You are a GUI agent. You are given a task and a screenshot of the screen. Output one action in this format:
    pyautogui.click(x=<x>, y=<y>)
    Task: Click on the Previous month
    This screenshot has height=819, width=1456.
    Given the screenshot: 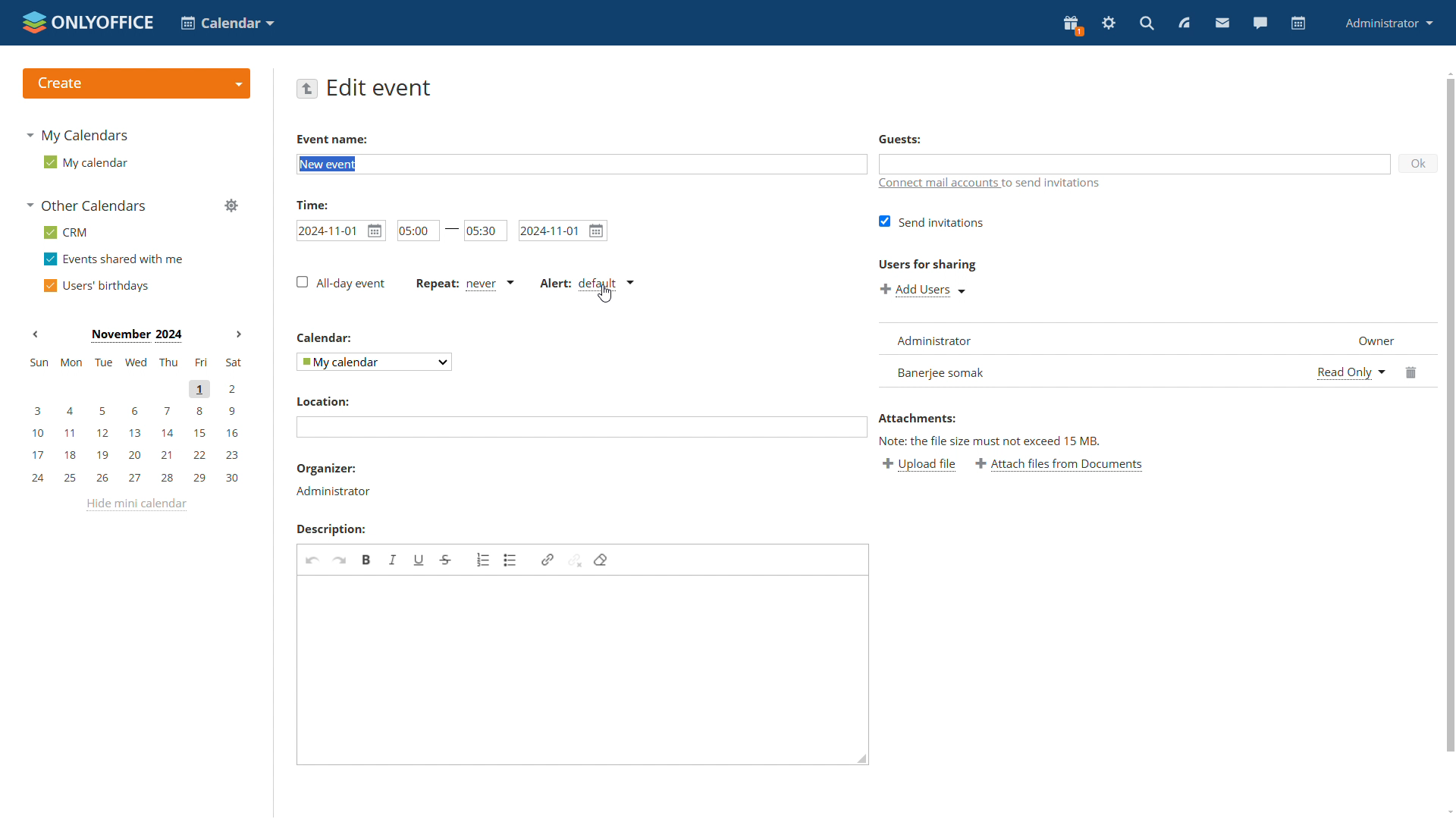 What is the action you would take?
    pyautogui.click(x=36, y=334)
    